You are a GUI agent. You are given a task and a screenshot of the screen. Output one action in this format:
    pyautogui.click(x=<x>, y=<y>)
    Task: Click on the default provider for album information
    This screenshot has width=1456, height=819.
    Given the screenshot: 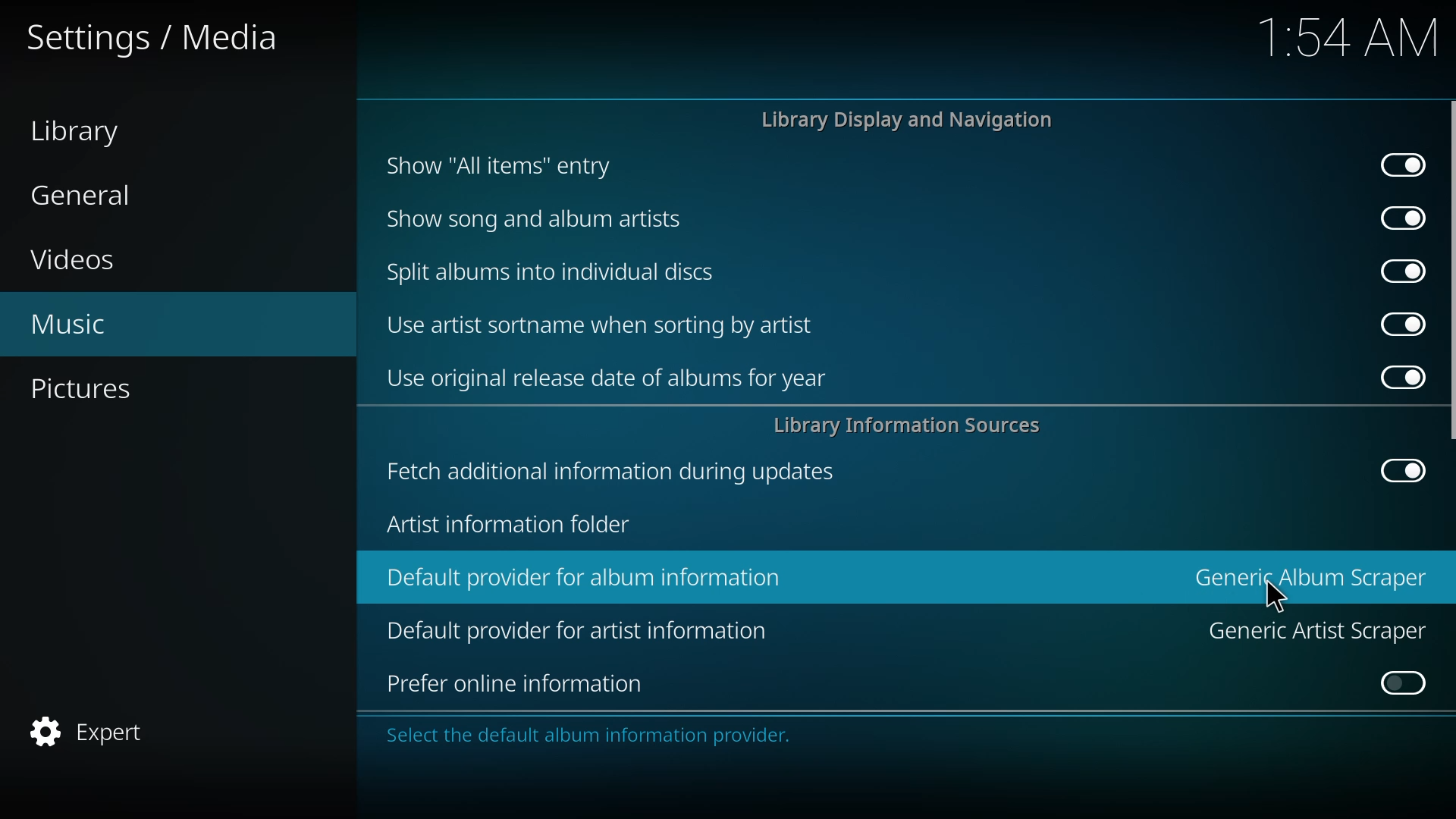 What is the action you would take?
    pyautogui.click(x=585, y=579)
    